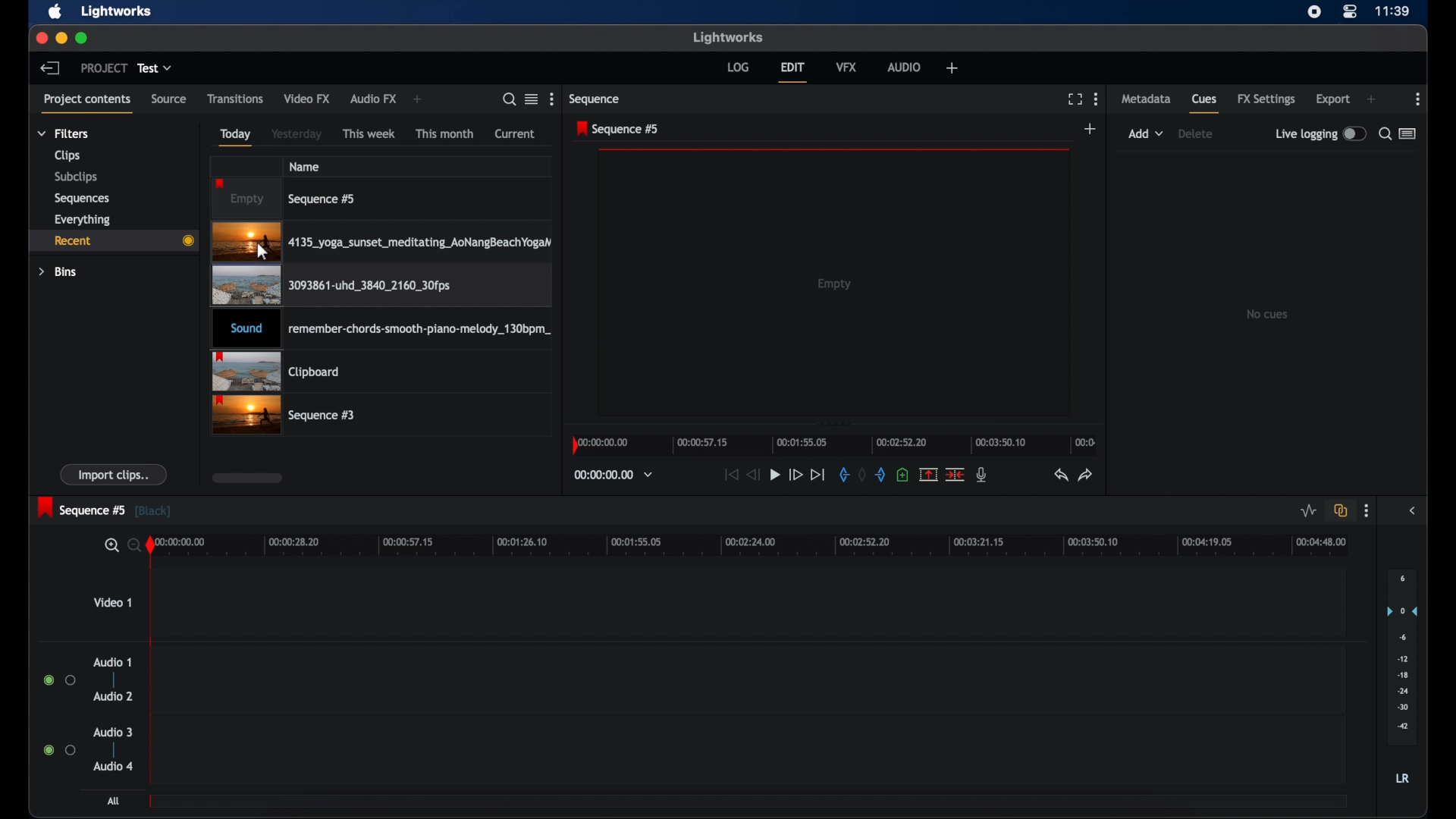  What do you see at coordinates (795, 475) in the screenshot?
I see `fast forward` at bounding box center [795, 475].